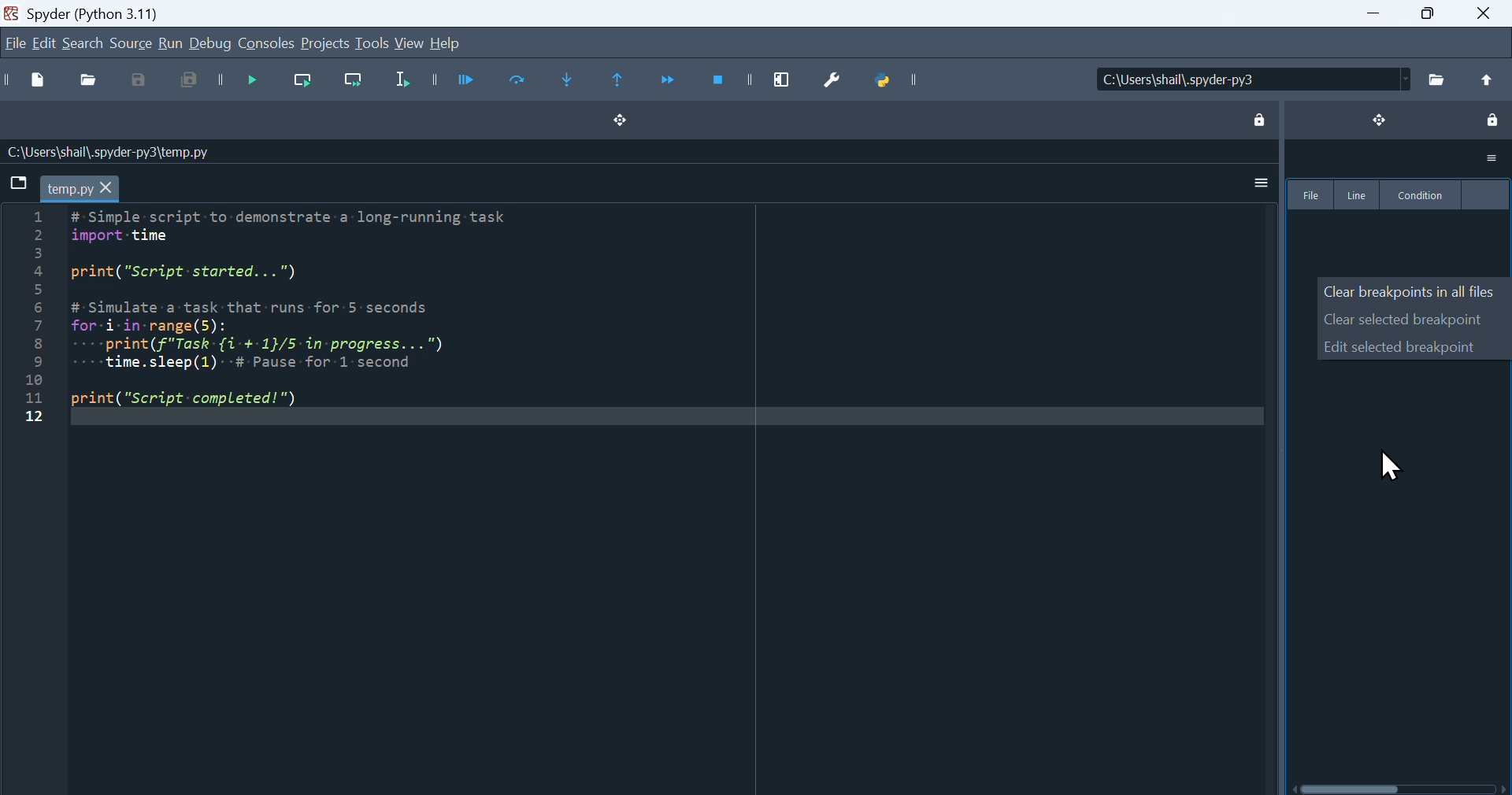 The image size is (1512, 795). What do you see at coordinates (1380, 118) in the screenshot?
I see `drag and drop` at bounding box center [1380, 118].